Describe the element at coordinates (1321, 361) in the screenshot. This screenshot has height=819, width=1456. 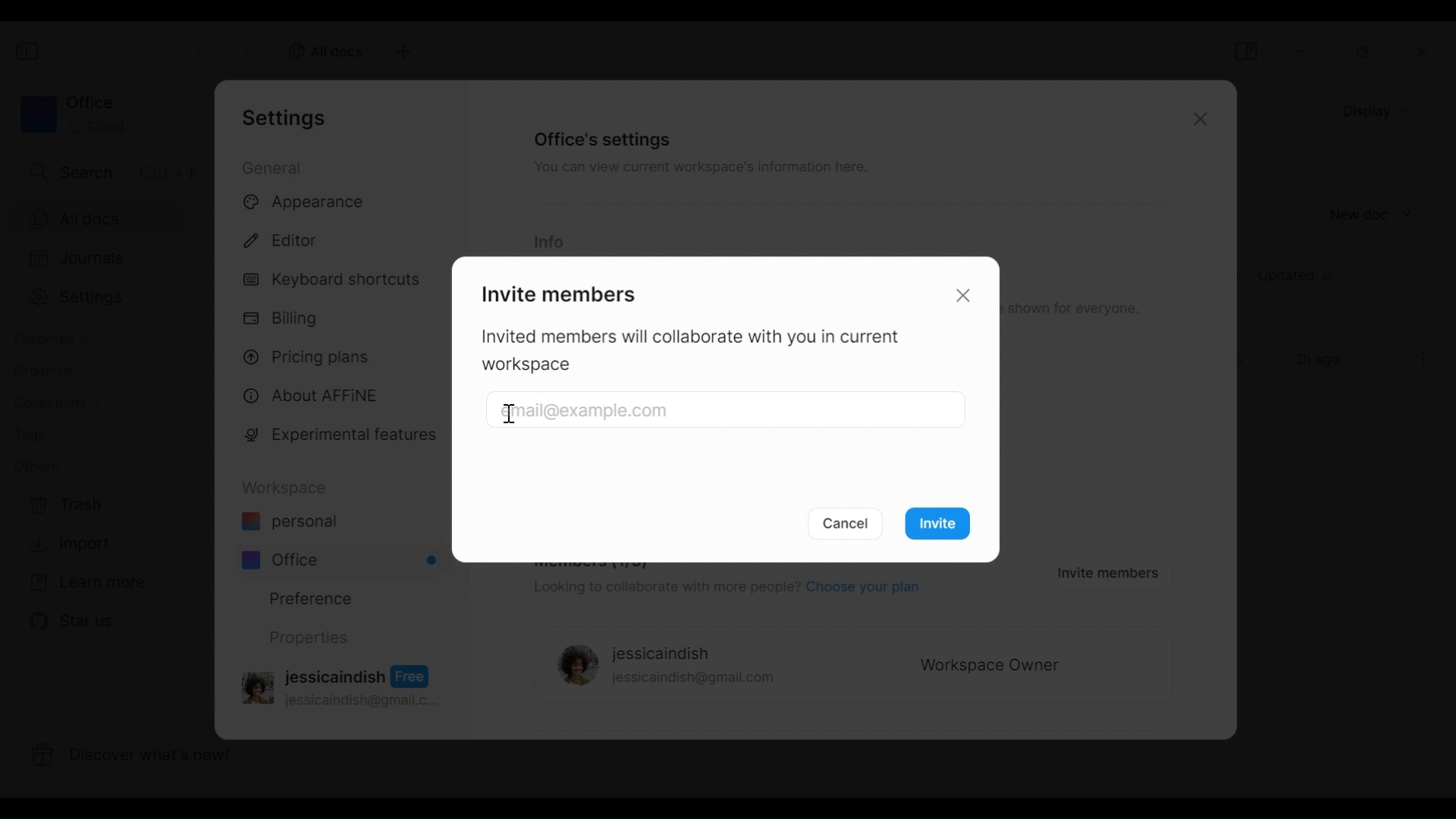
I see `2h ago` at that location.